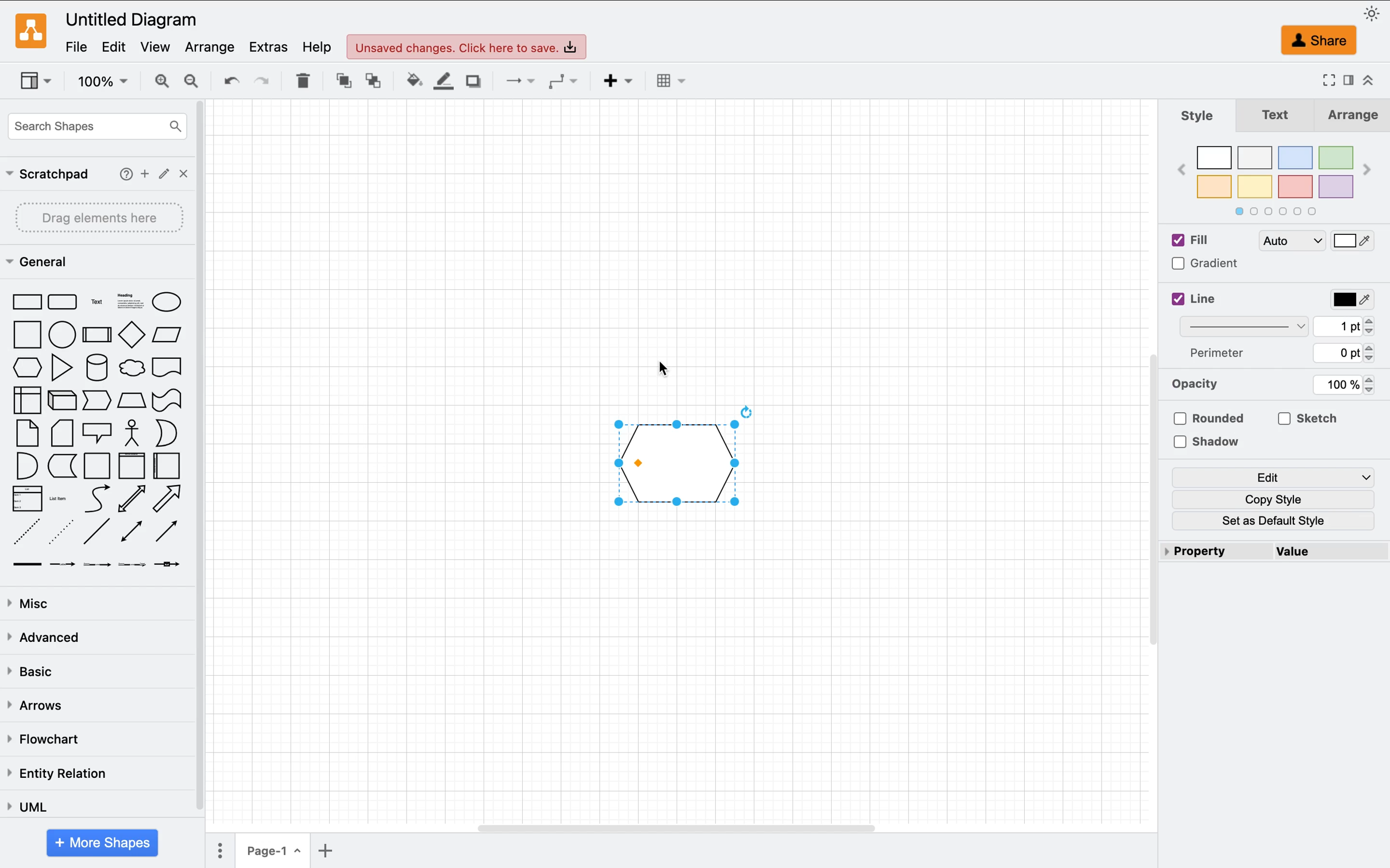  I want to click on redo, so click(267, 83).